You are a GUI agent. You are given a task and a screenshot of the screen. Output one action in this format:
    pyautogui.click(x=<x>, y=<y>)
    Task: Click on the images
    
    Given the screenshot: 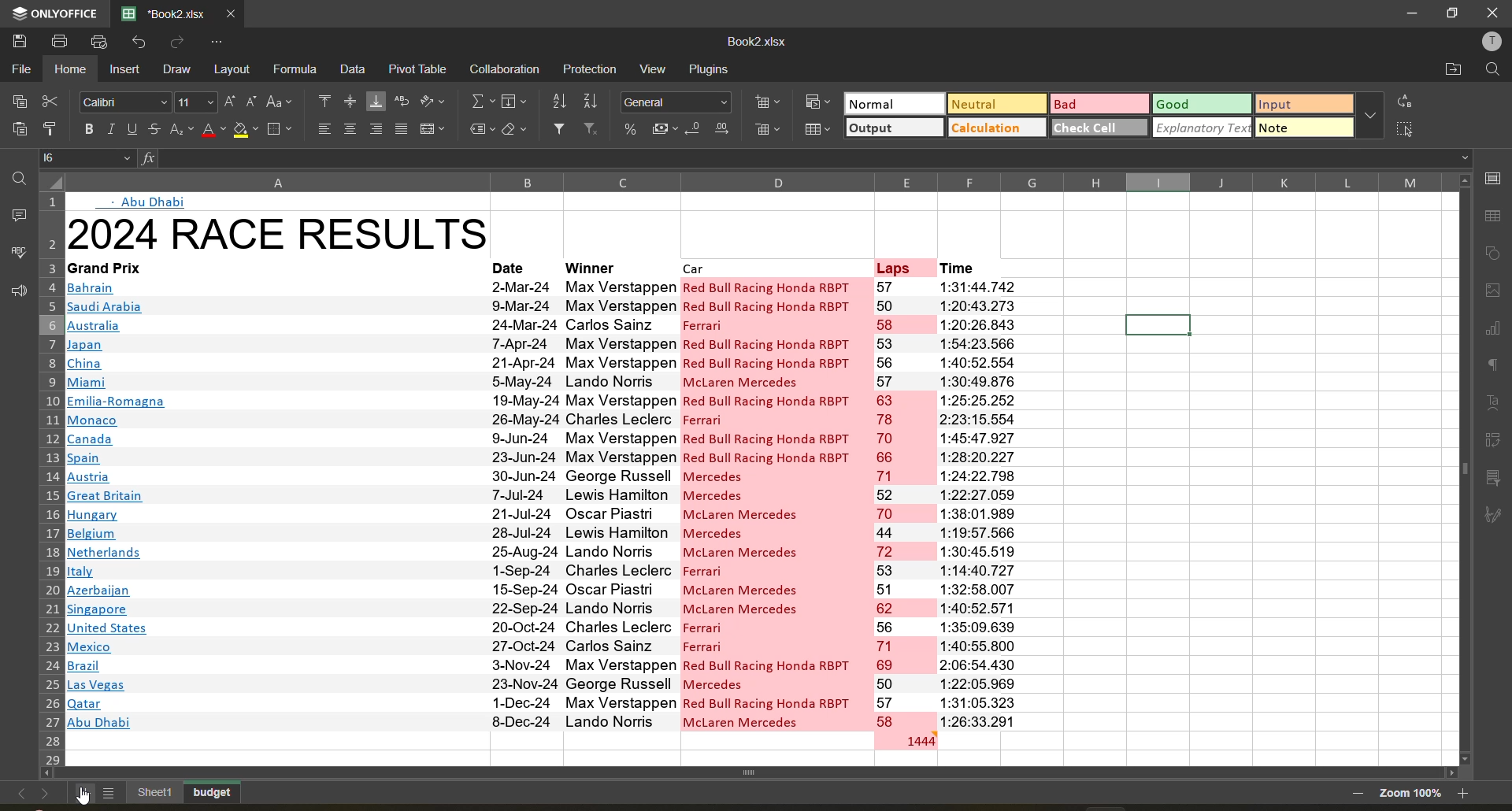 What is the action you would take?
    pyautogui.click(x=1493, y=289)
    